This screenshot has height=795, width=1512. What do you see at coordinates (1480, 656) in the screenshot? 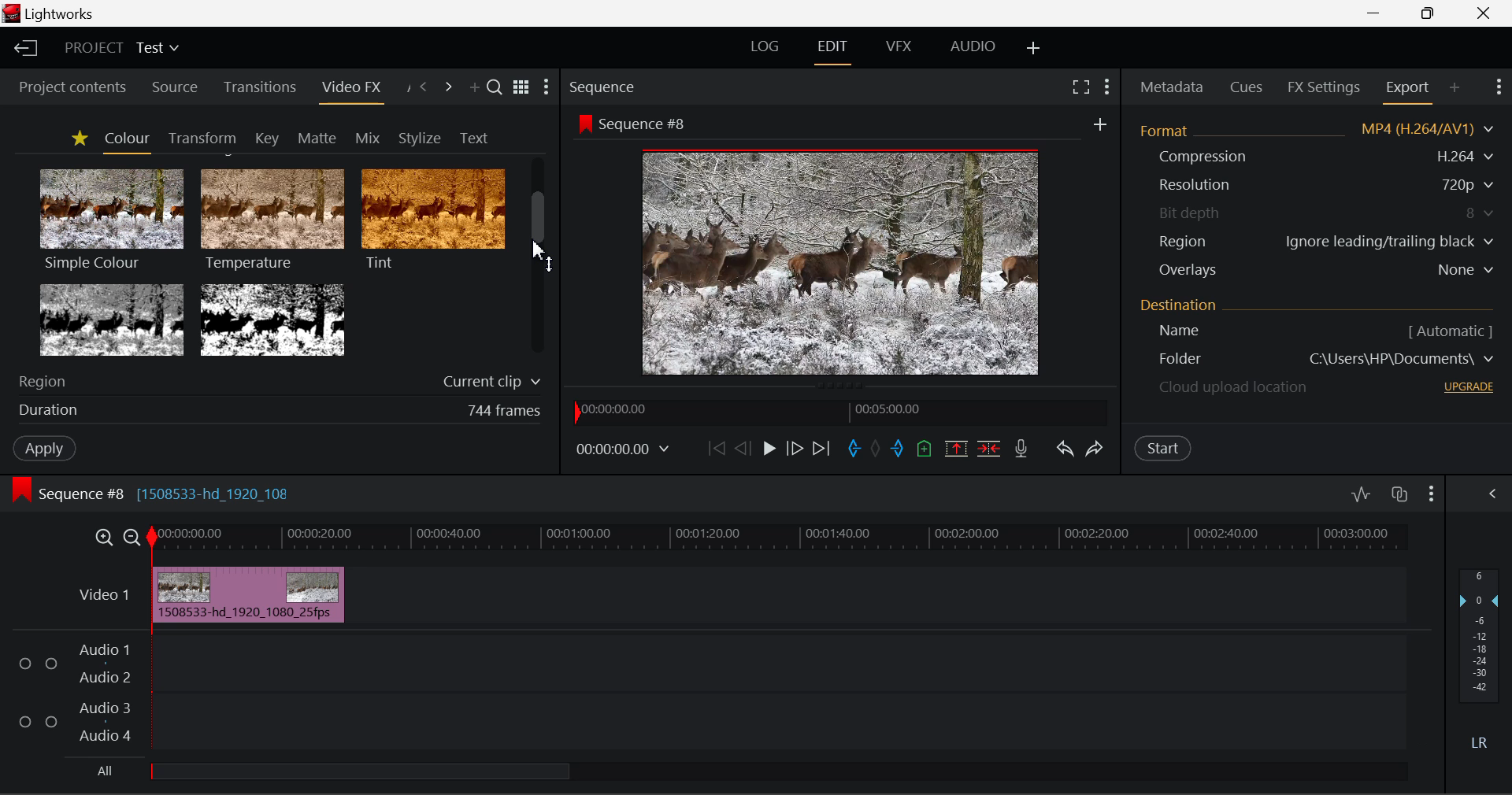
I see `Decibel Level` at bounding box center [1480, 656].